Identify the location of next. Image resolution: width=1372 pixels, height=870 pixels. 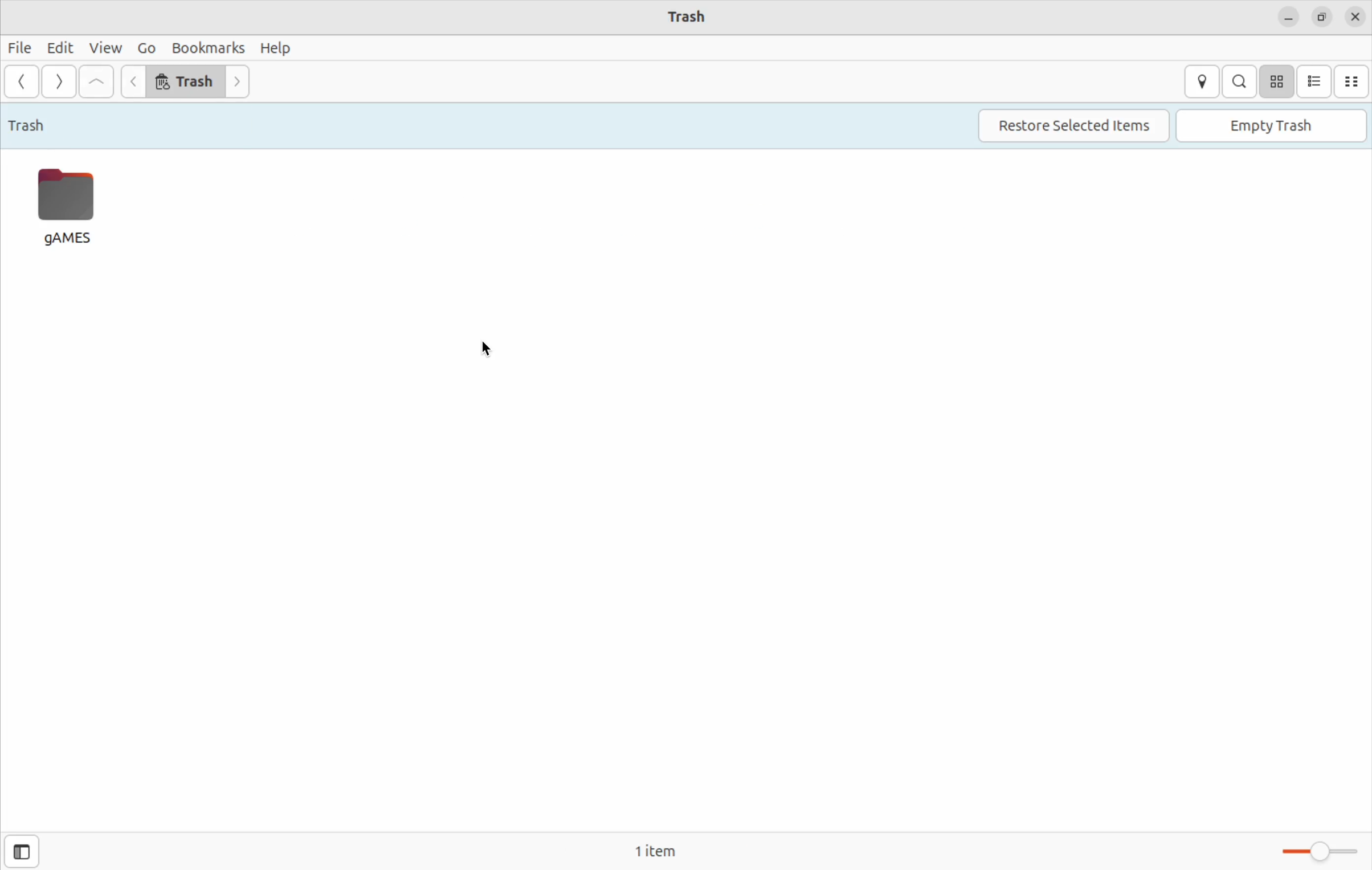
(239, 82).